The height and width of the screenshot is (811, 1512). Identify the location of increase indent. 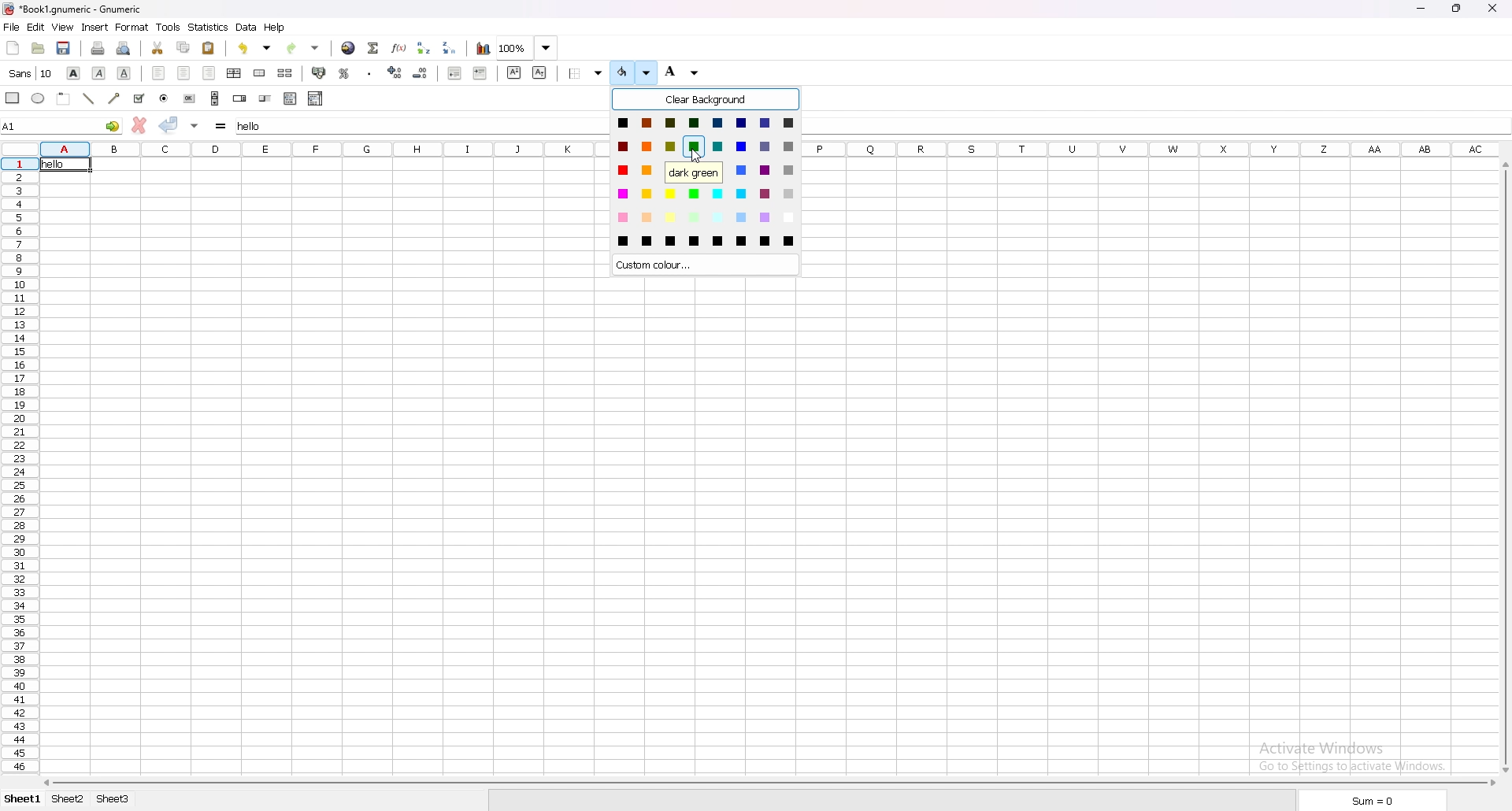
(480, 72).